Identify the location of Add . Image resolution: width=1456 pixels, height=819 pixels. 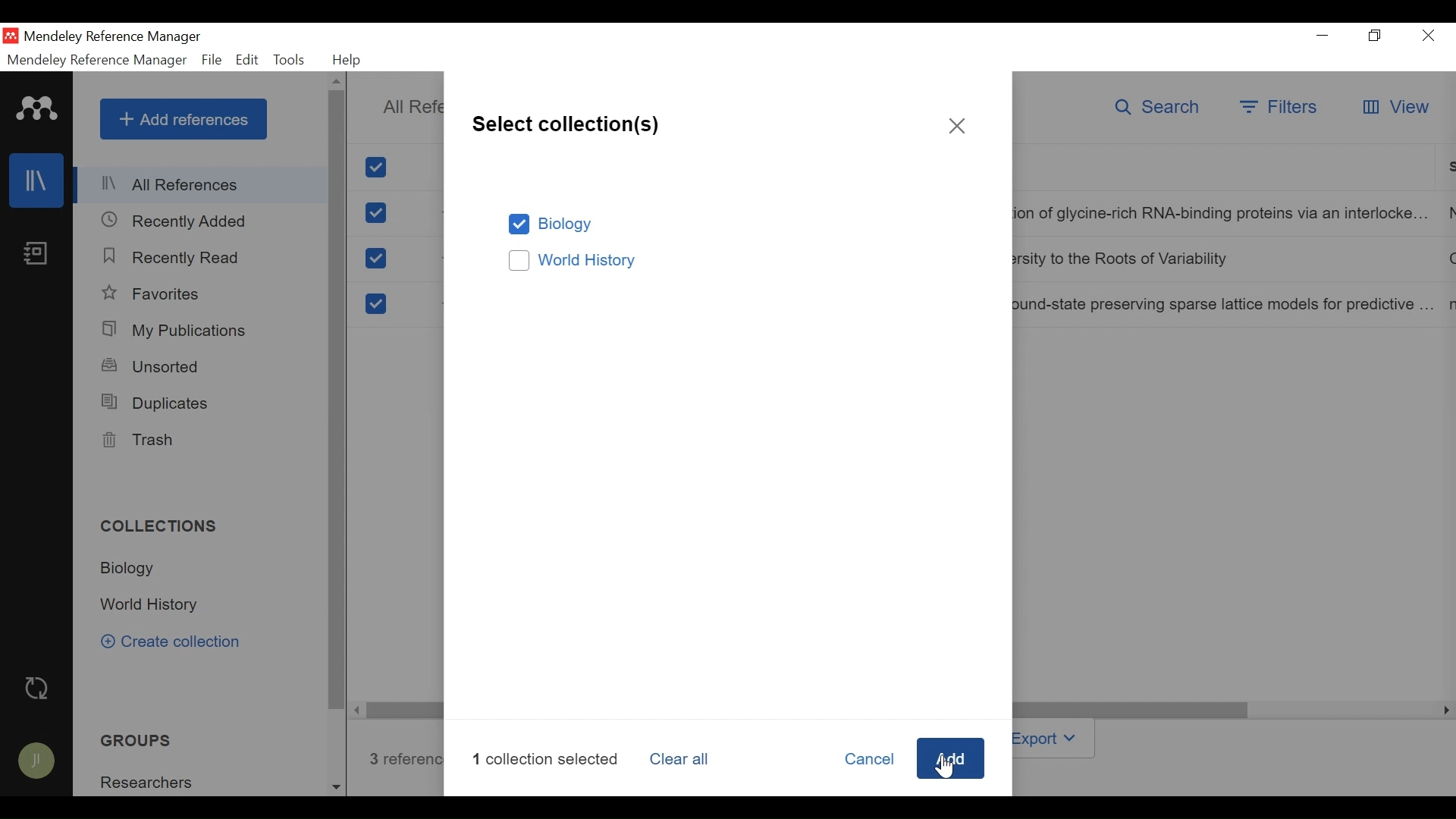
(951, 761).